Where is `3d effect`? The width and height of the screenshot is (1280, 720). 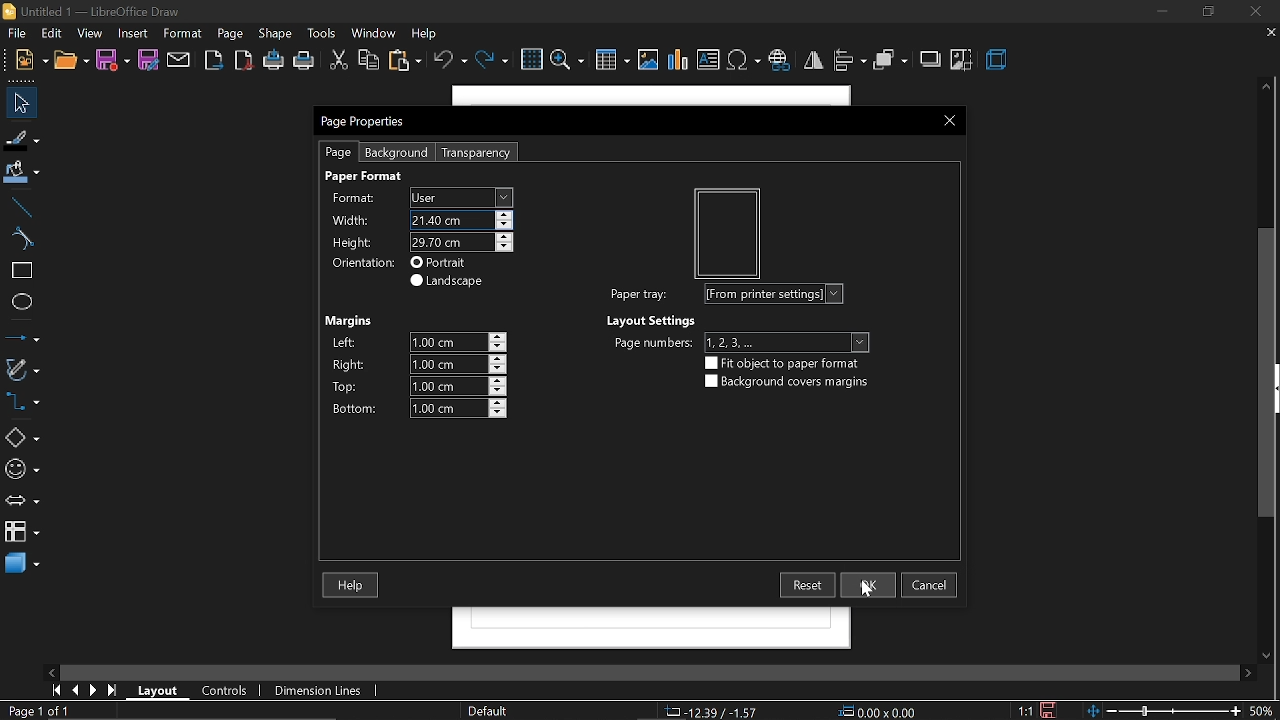
3d effect is located at coordinates (998, 59).